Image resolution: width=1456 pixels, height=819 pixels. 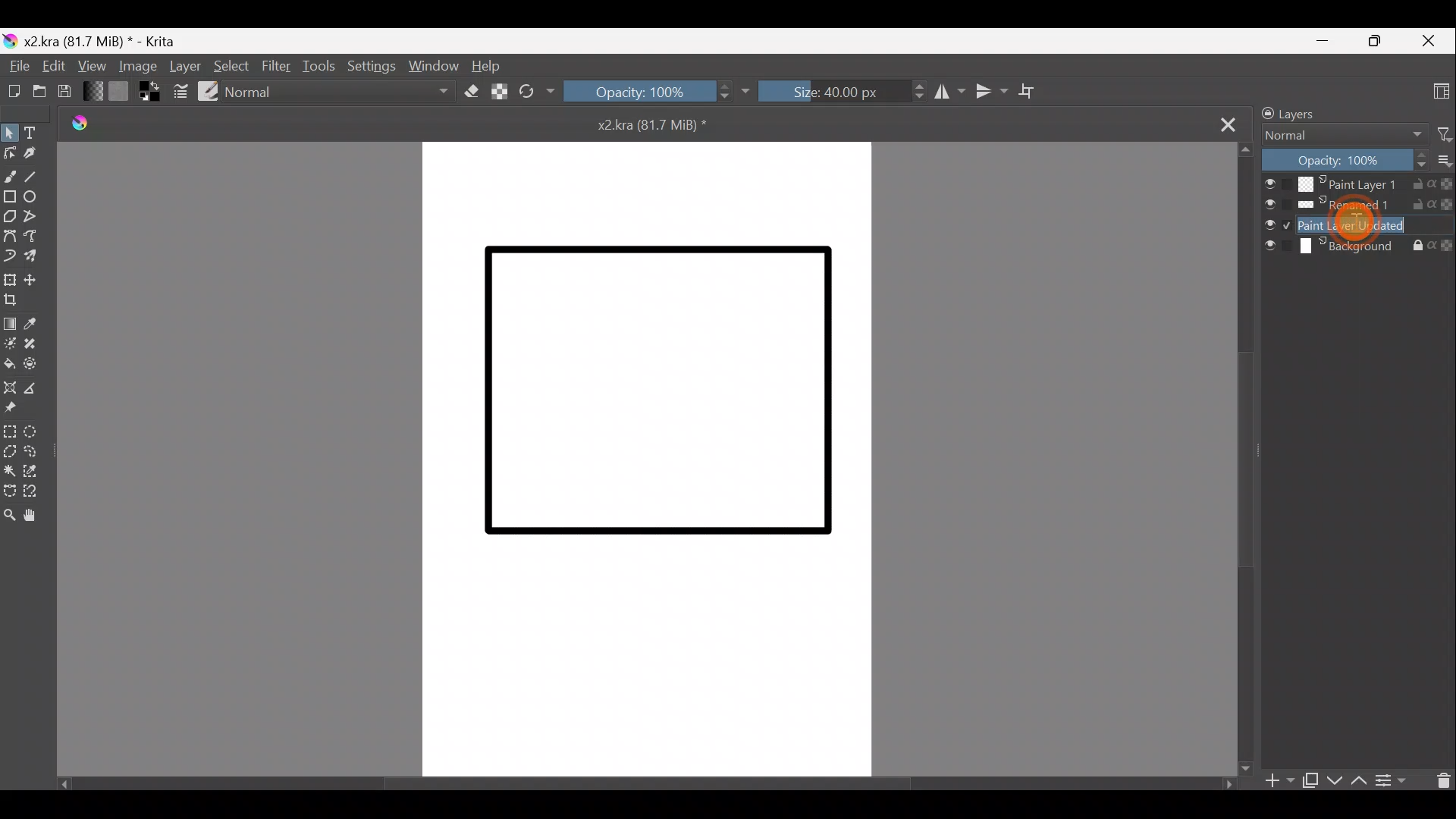 I want to click on Edit shapes tool, so click(x=11, y=152).